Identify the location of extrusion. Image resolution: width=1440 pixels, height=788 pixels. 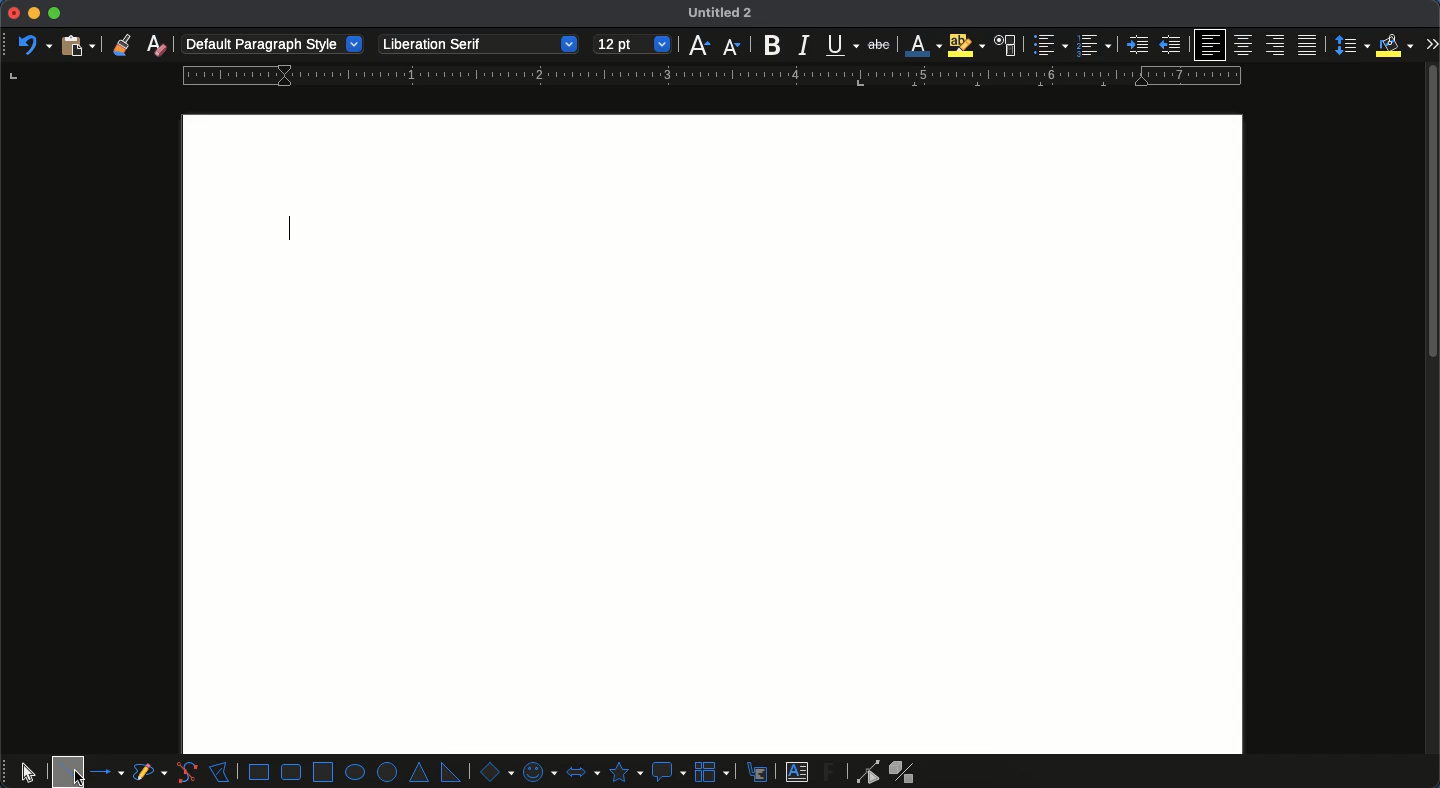
(906, 772).